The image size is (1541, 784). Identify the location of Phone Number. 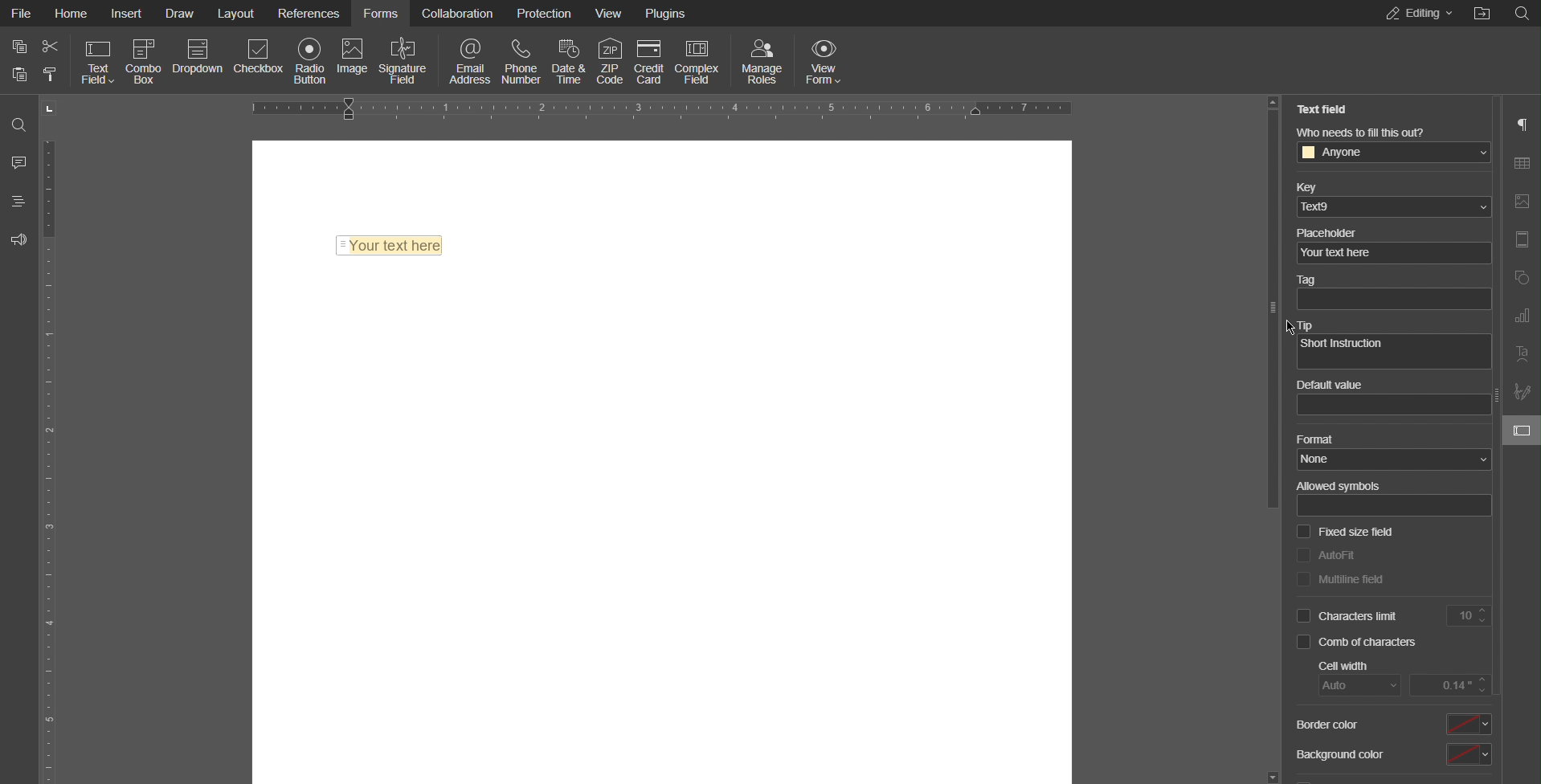
(524, 59).